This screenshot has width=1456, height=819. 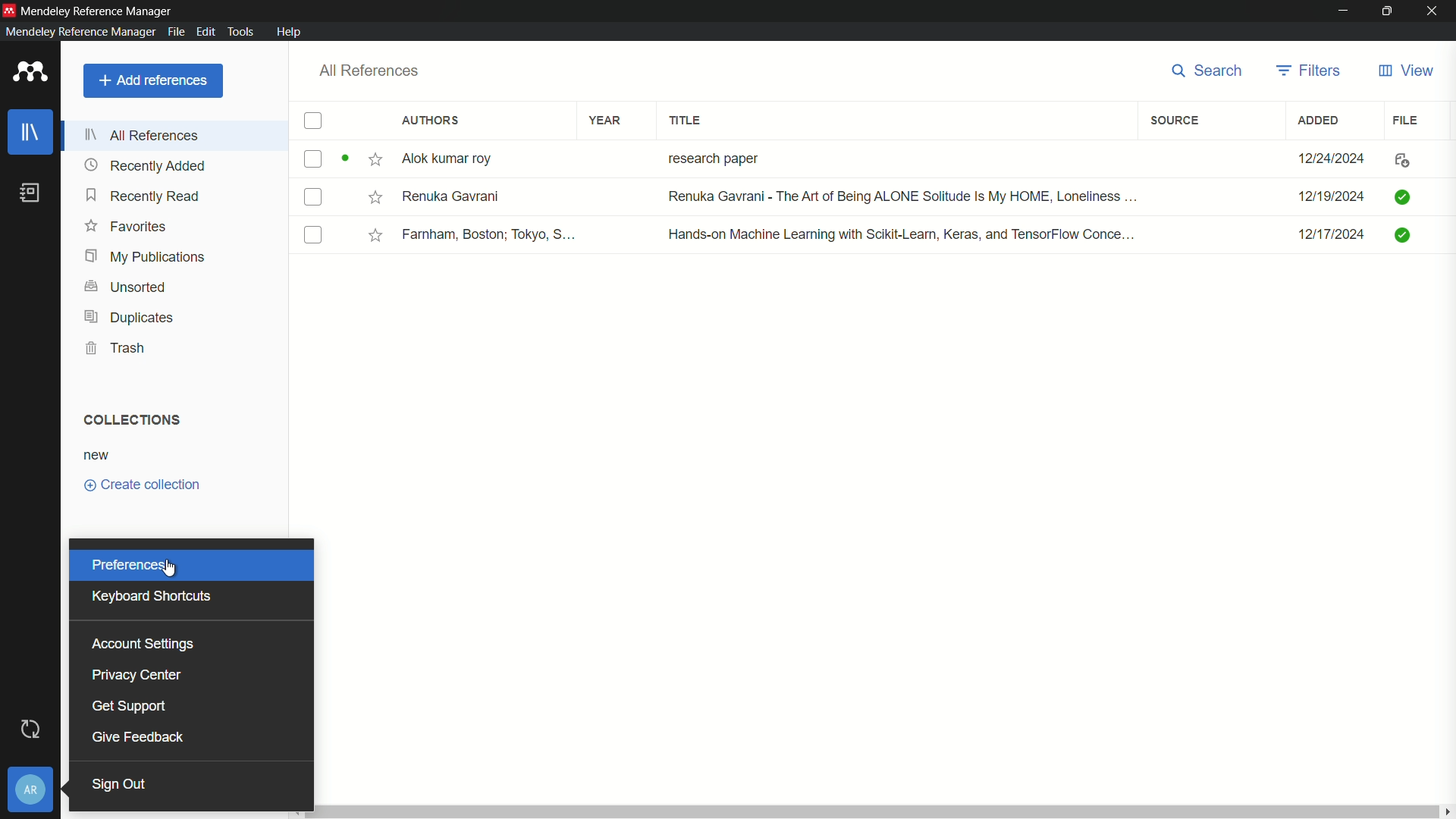 What do you see at coordinates (31, 730) in the screenshot?
I see `sync` at bounding box center [31, 730].